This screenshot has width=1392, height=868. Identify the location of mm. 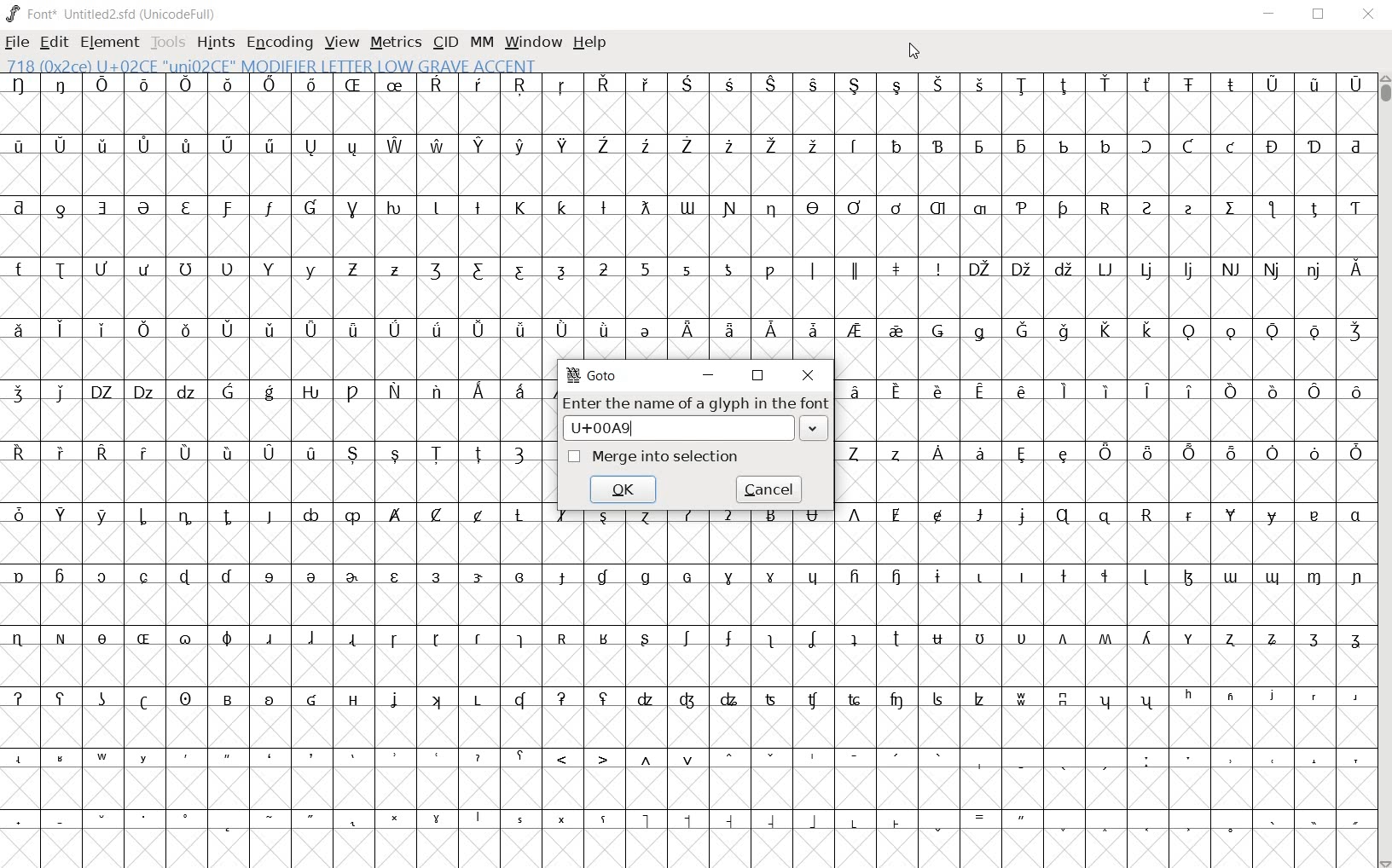
(480, 40).